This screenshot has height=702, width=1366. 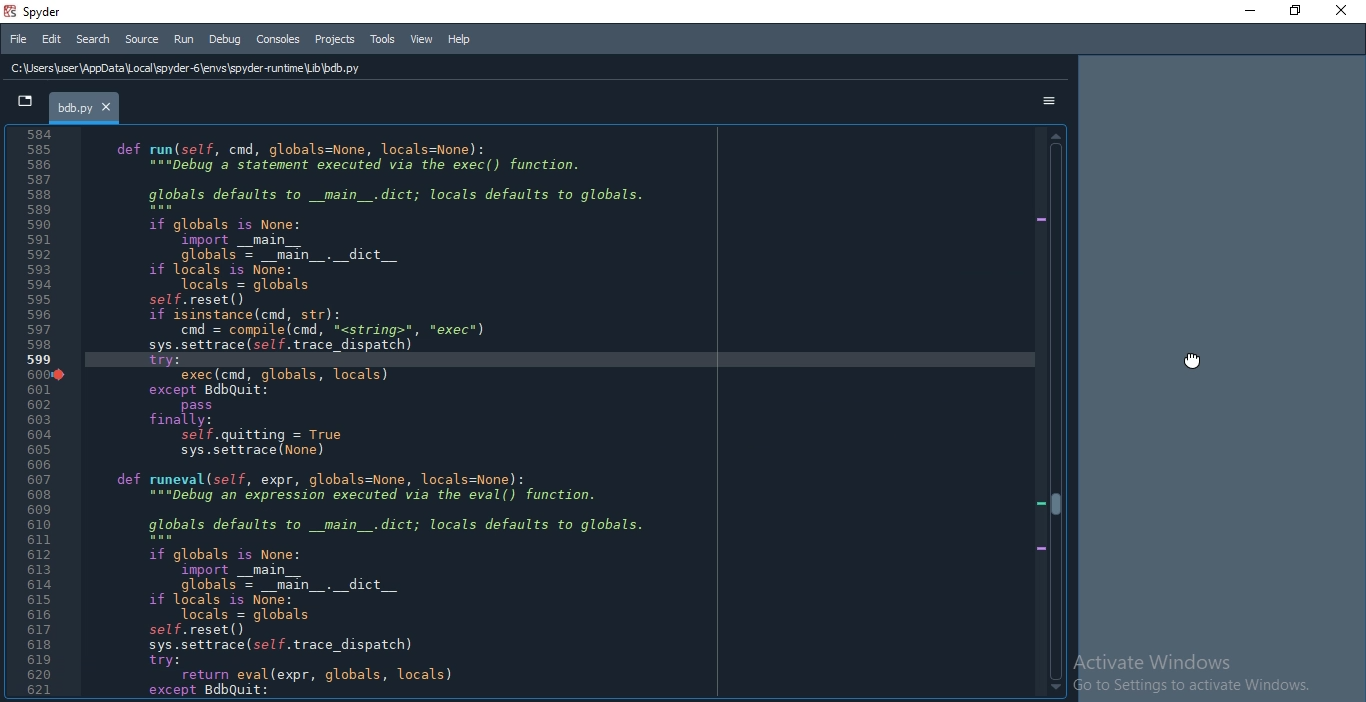 What do you see at coordinates (87, 109) in the screenshot?
I see `bdb.py` at bounding box center [87, 109].